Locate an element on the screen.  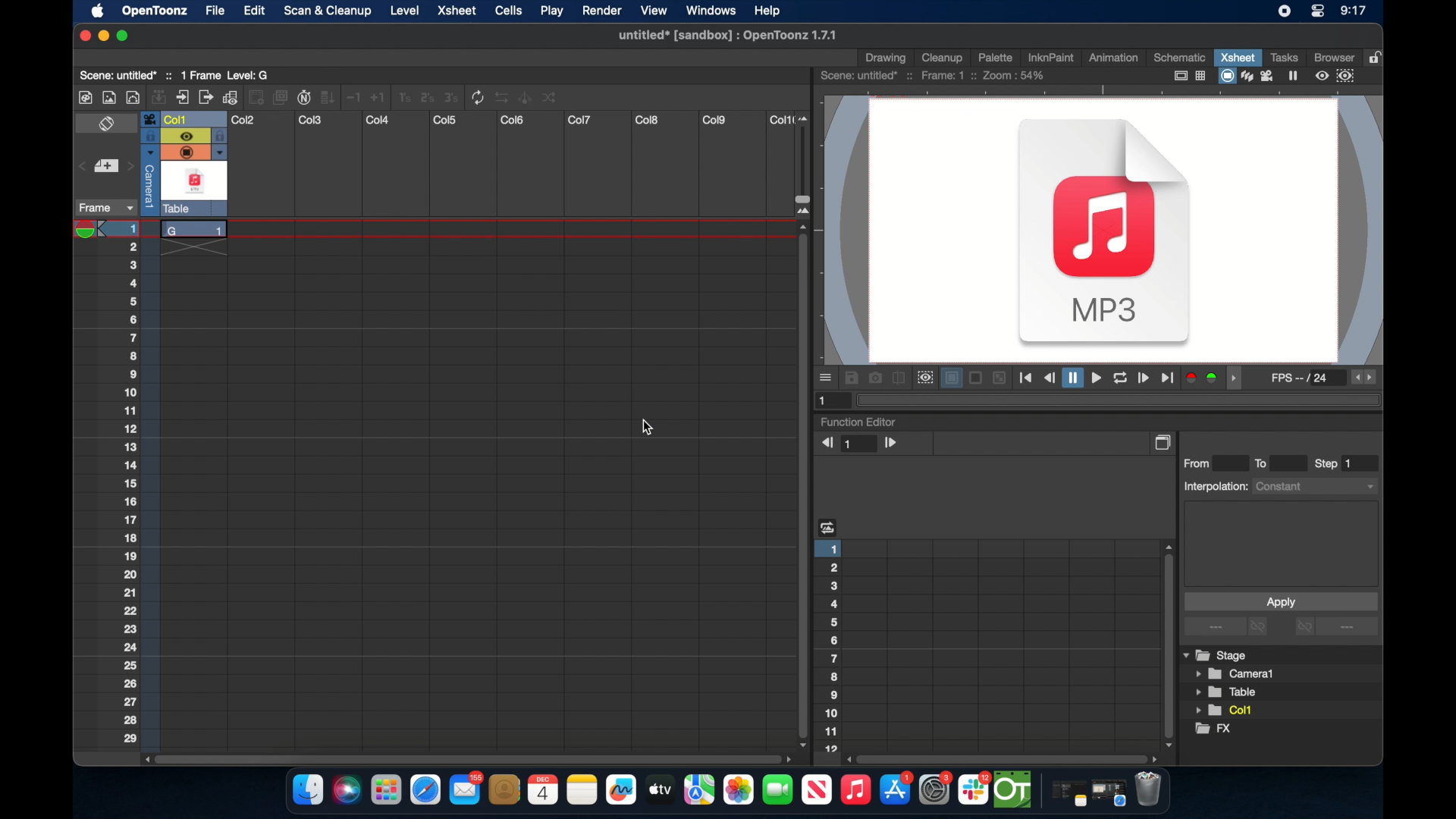
screen recorder icon is located at coordinates (1284, 11).